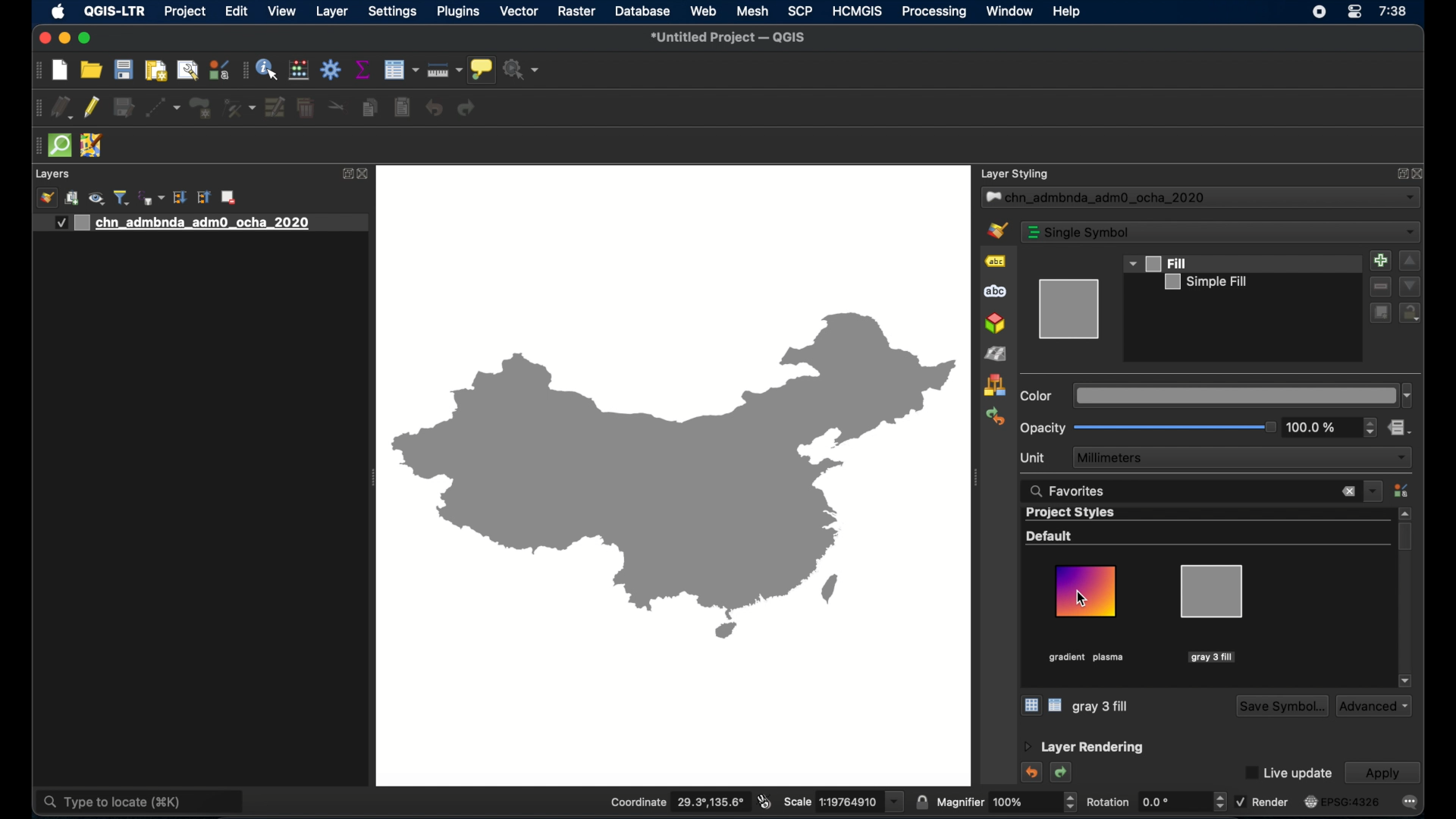 The width and height of the screenshot is (1456, 819). I want to click on expand all, so click(180, 199).